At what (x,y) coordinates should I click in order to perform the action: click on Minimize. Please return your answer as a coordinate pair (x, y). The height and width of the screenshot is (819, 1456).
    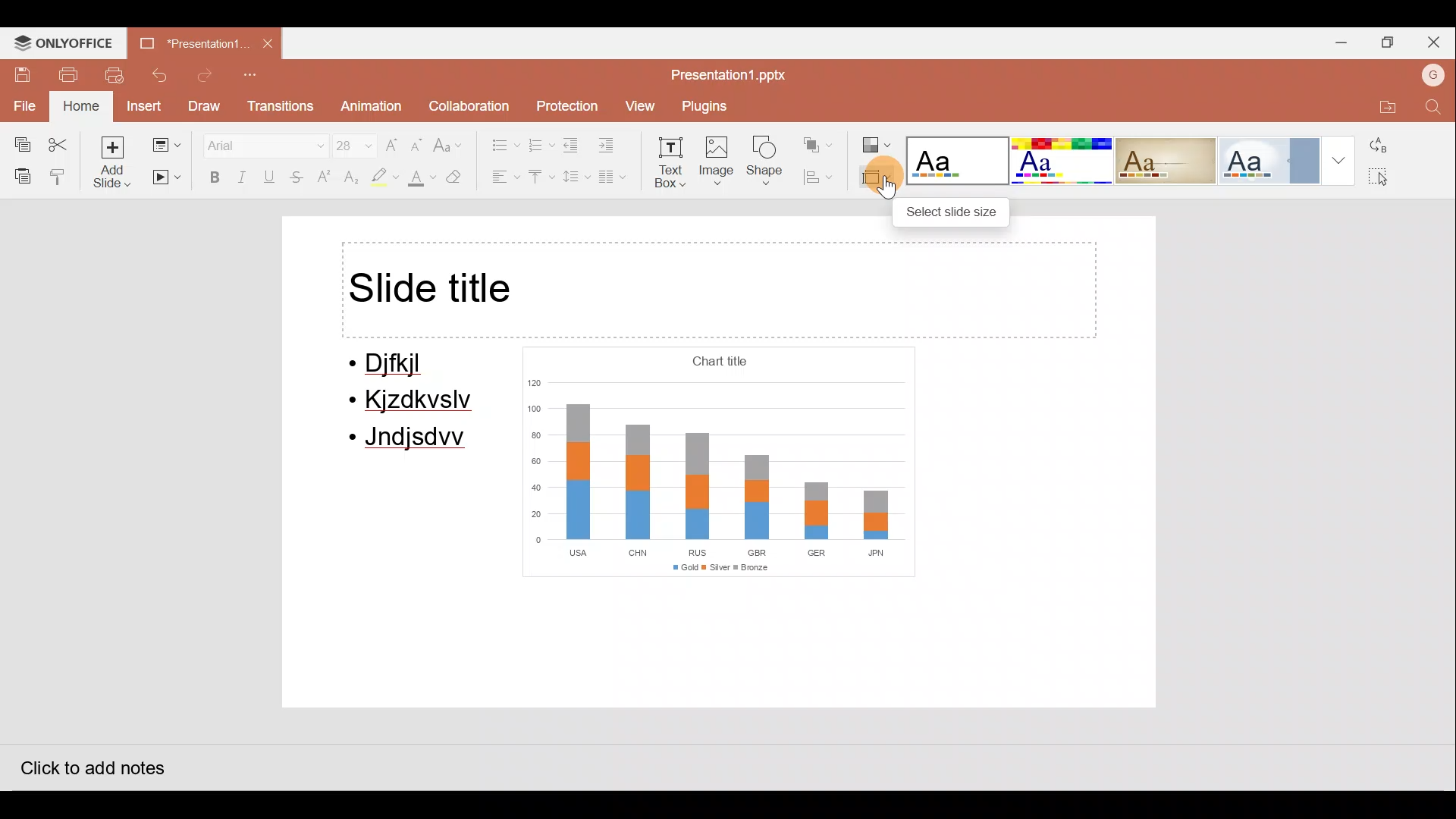
    Looking at the image, I should click on (1338, 40).